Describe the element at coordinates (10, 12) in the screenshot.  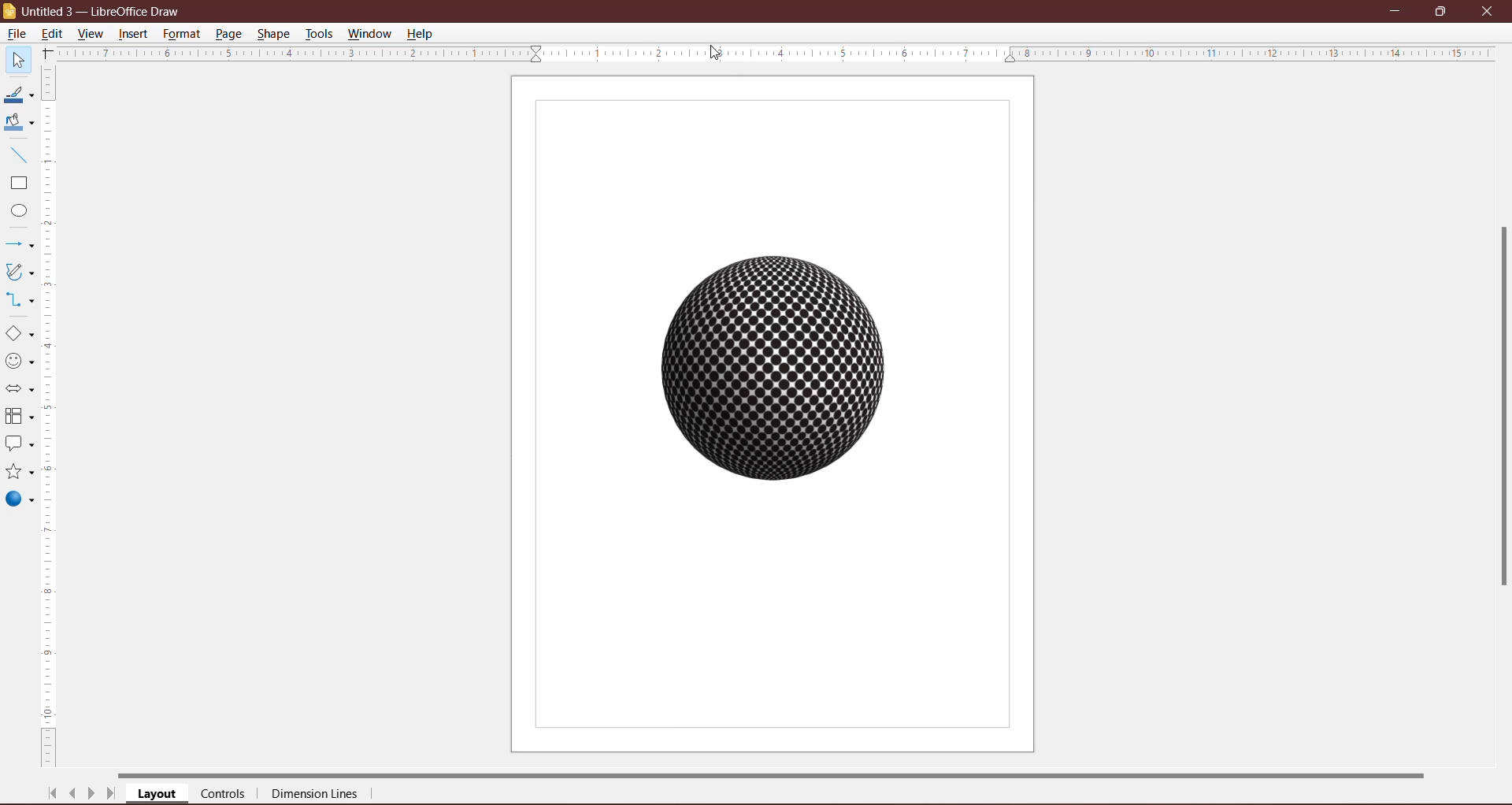
I see `Application Logo` at that location.